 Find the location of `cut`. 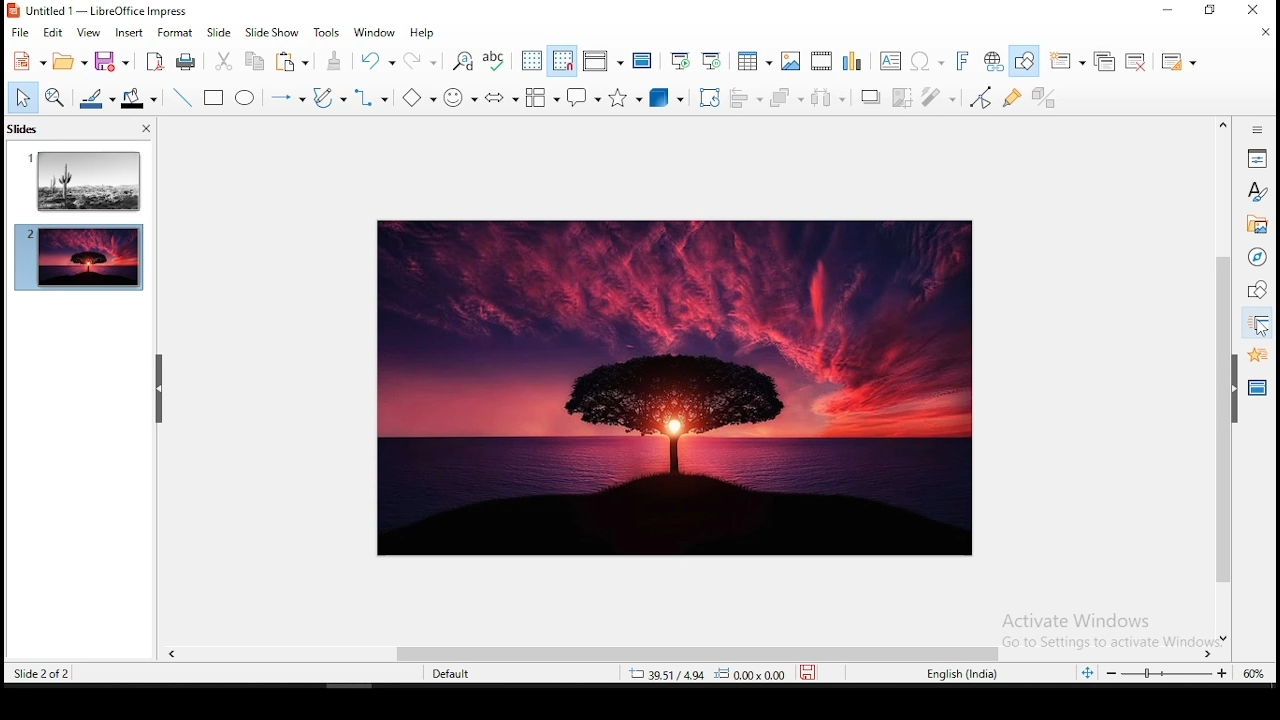

cut is located at coordinates (225, 61).